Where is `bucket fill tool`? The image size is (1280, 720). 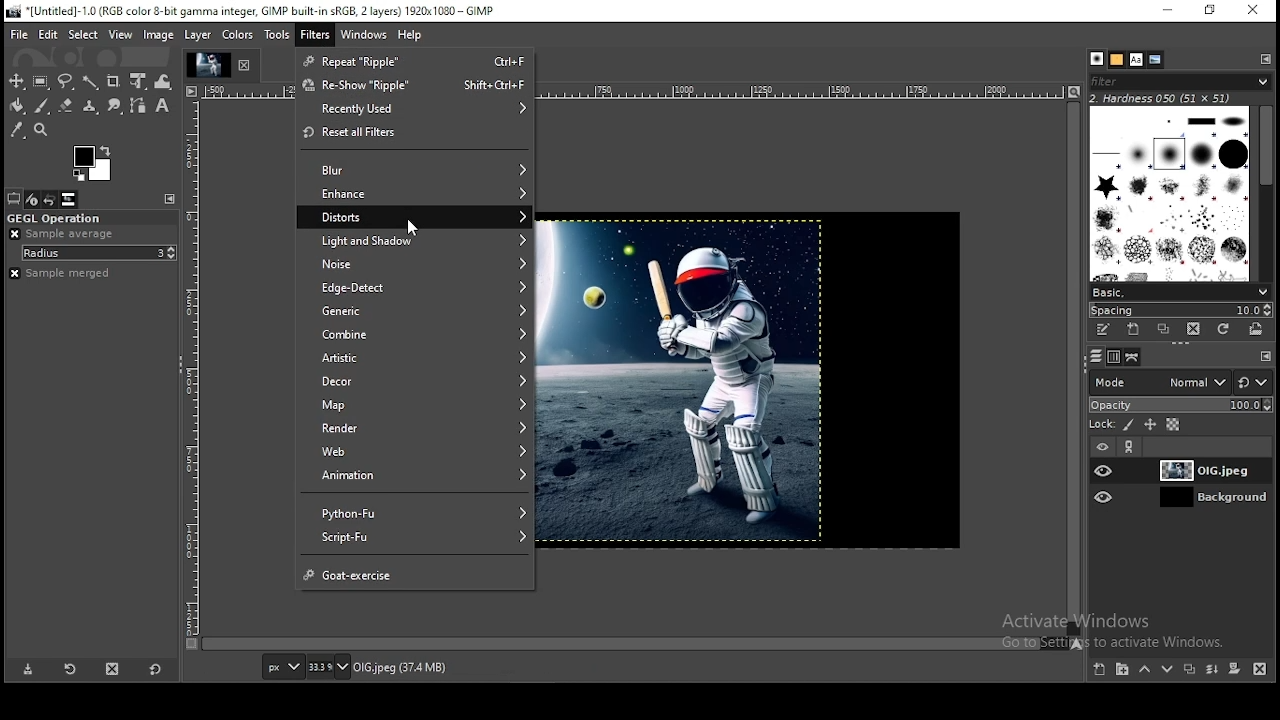
bucket fill tool is located at coordinates (17, 107).